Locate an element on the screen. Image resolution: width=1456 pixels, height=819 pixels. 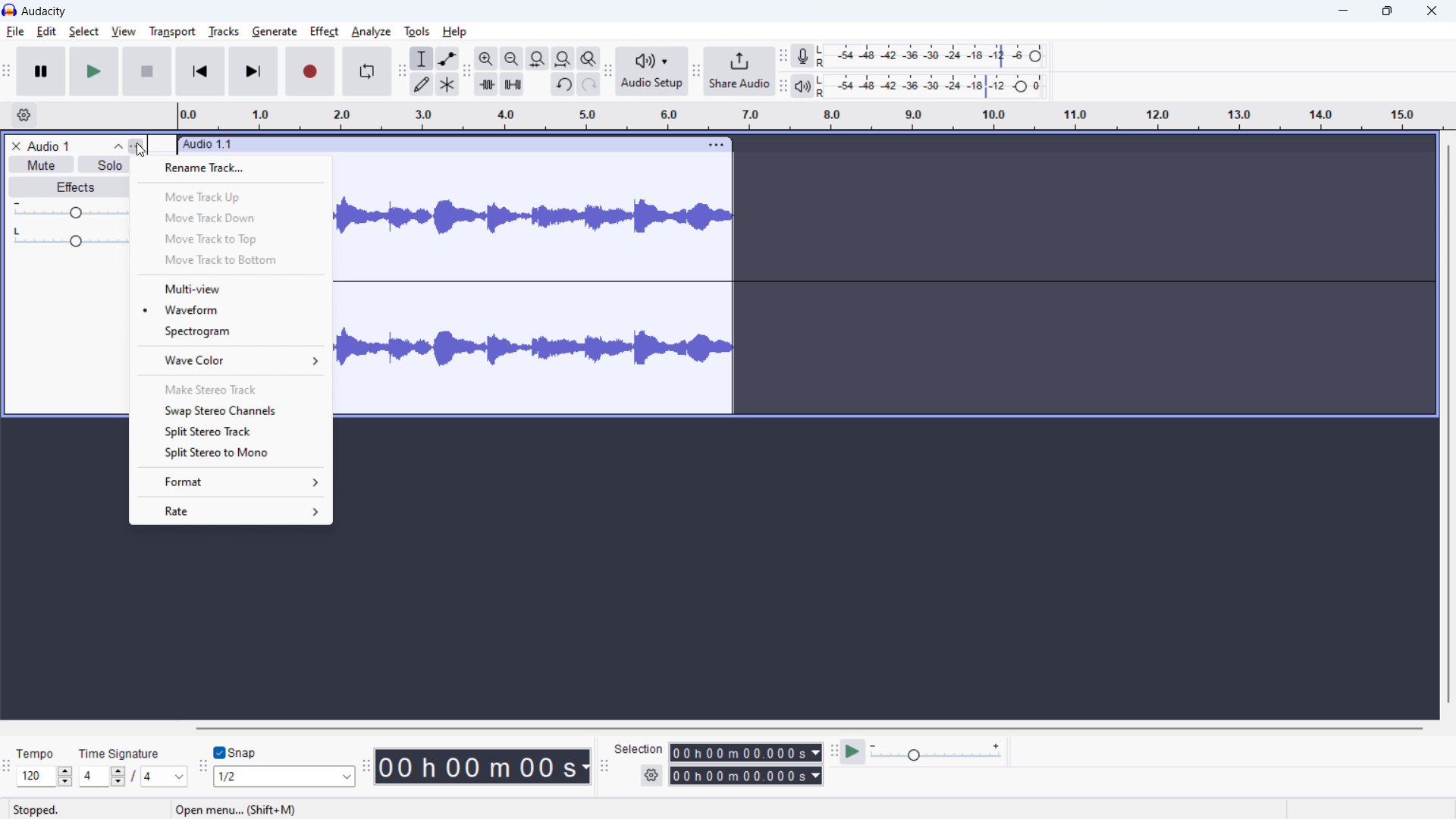
pause is located at coordinates (42, 71).